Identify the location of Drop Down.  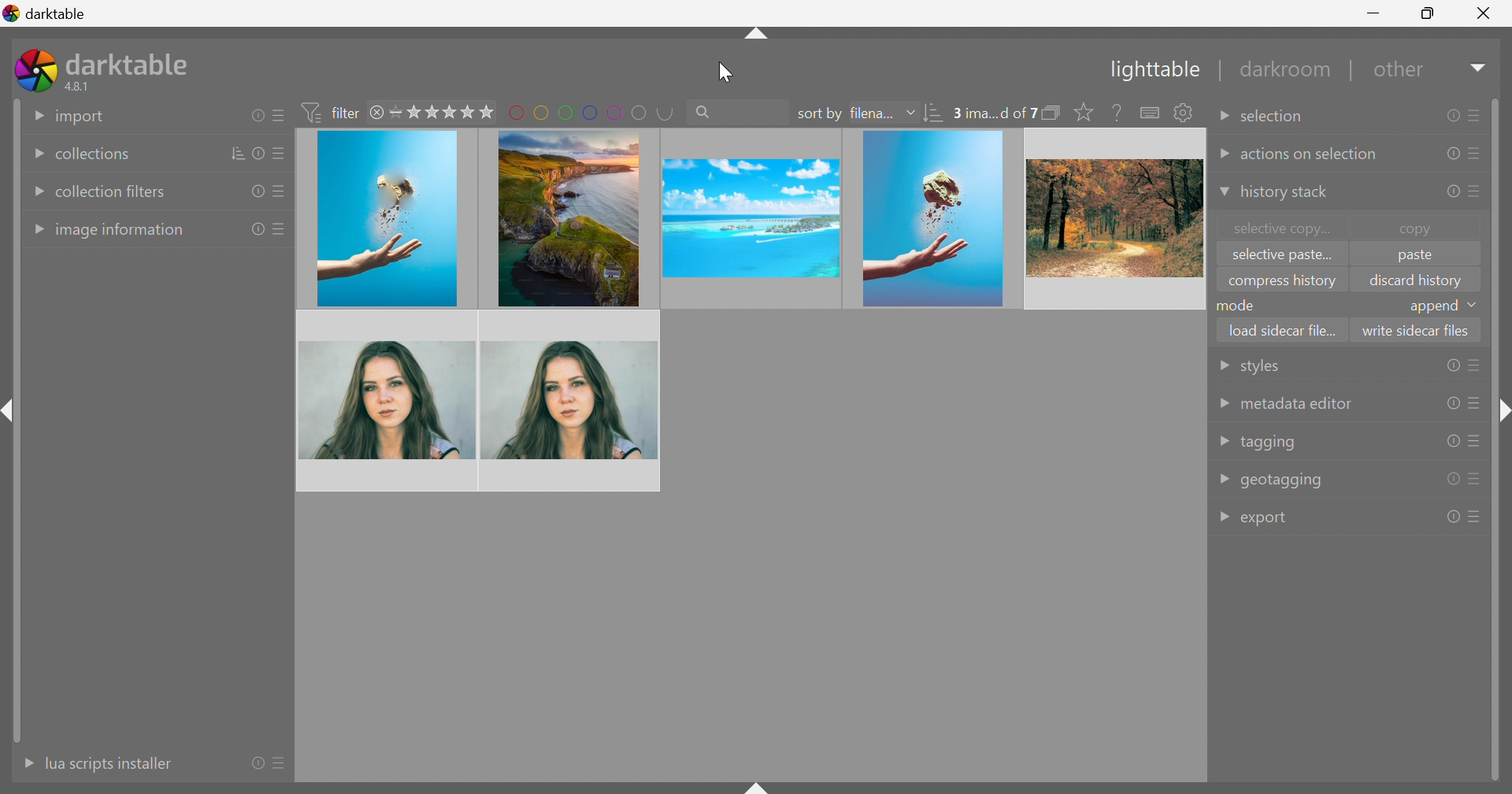
(31, 155).